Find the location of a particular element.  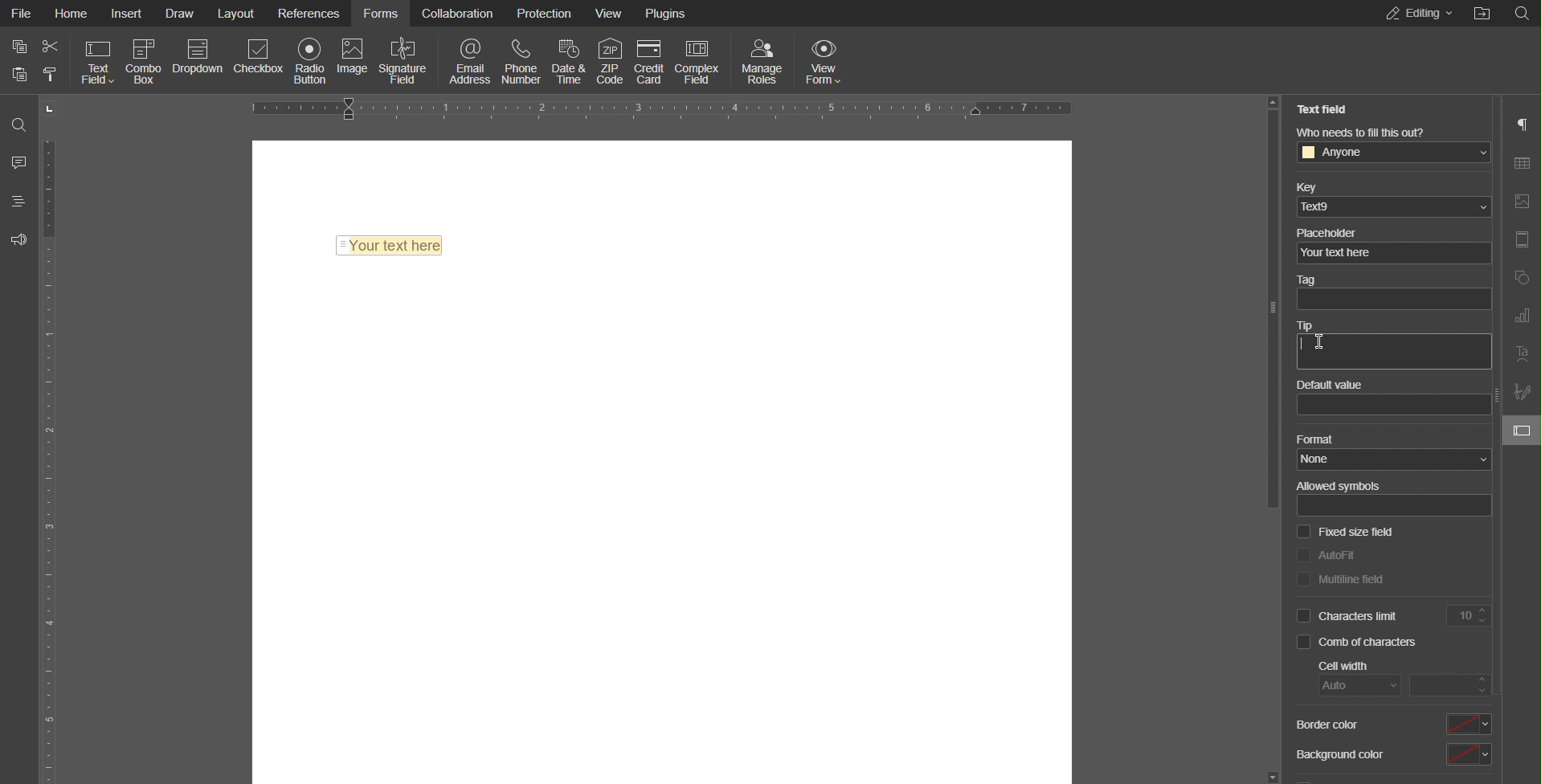

Key is located at coordinates (1316, 186).